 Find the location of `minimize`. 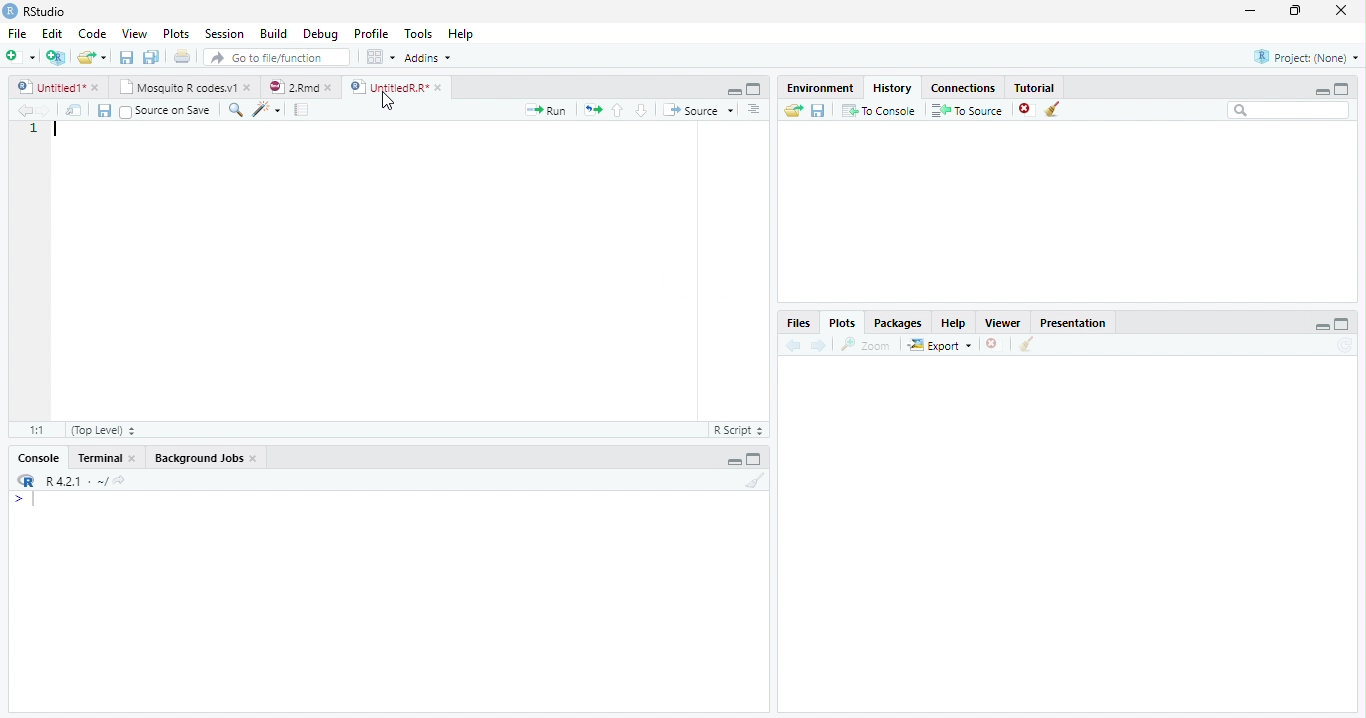

minimize is located at coordinates (1251, 10).